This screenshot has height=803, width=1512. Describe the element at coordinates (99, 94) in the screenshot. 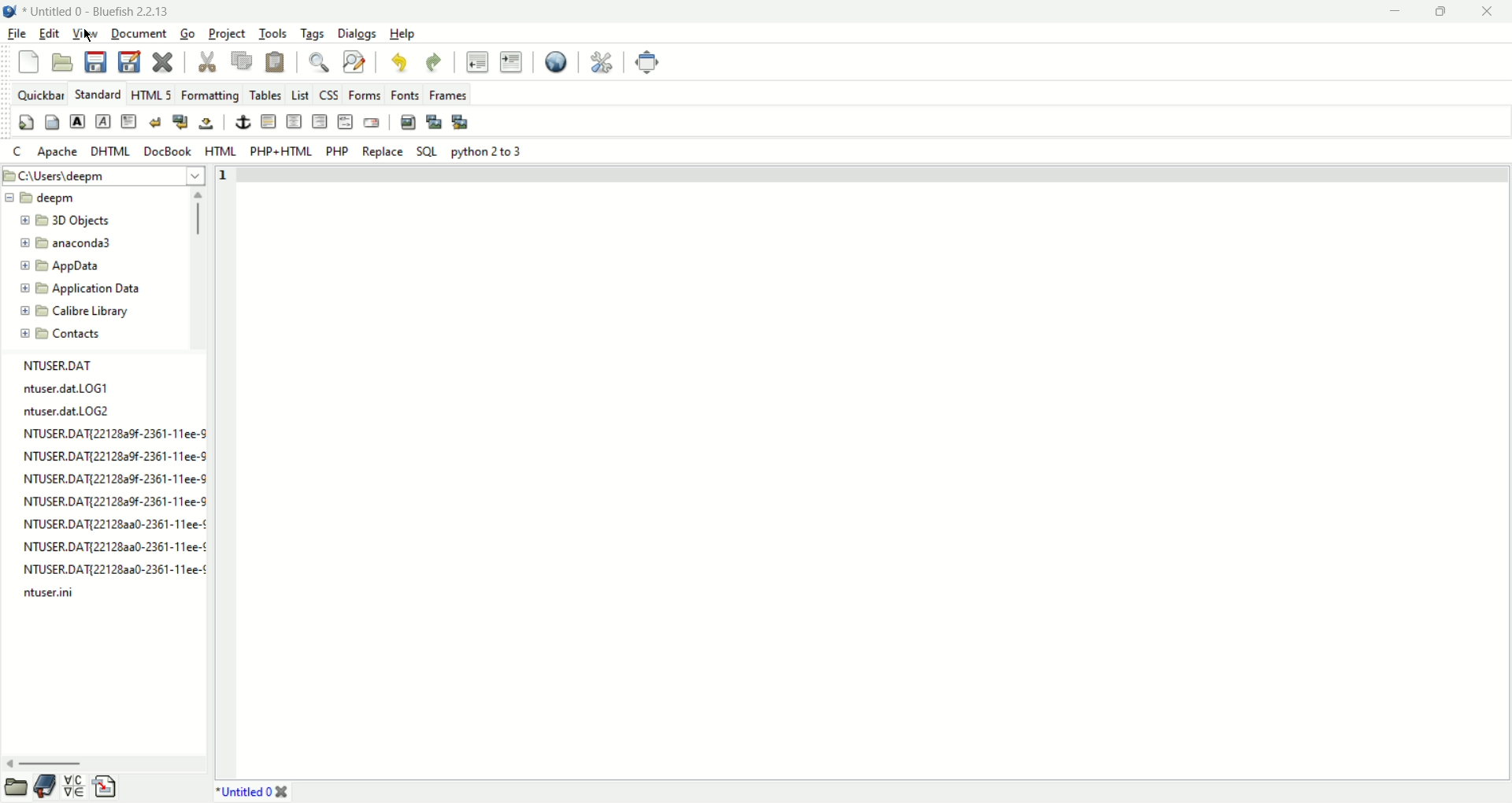

I see `standard` at that location.